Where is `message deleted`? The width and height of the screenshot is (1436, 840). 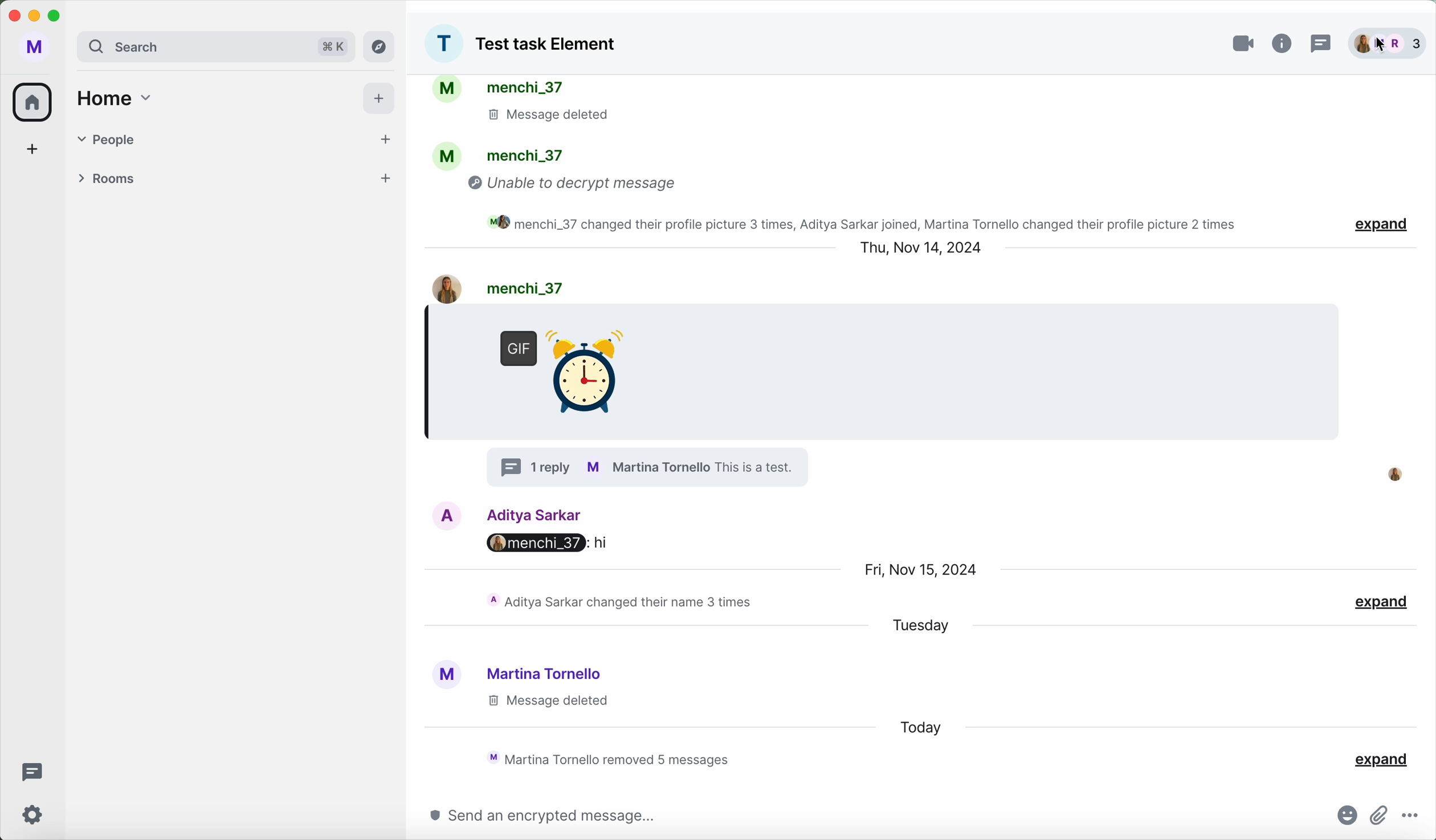 message deleted is located at coordinates (561, 116).